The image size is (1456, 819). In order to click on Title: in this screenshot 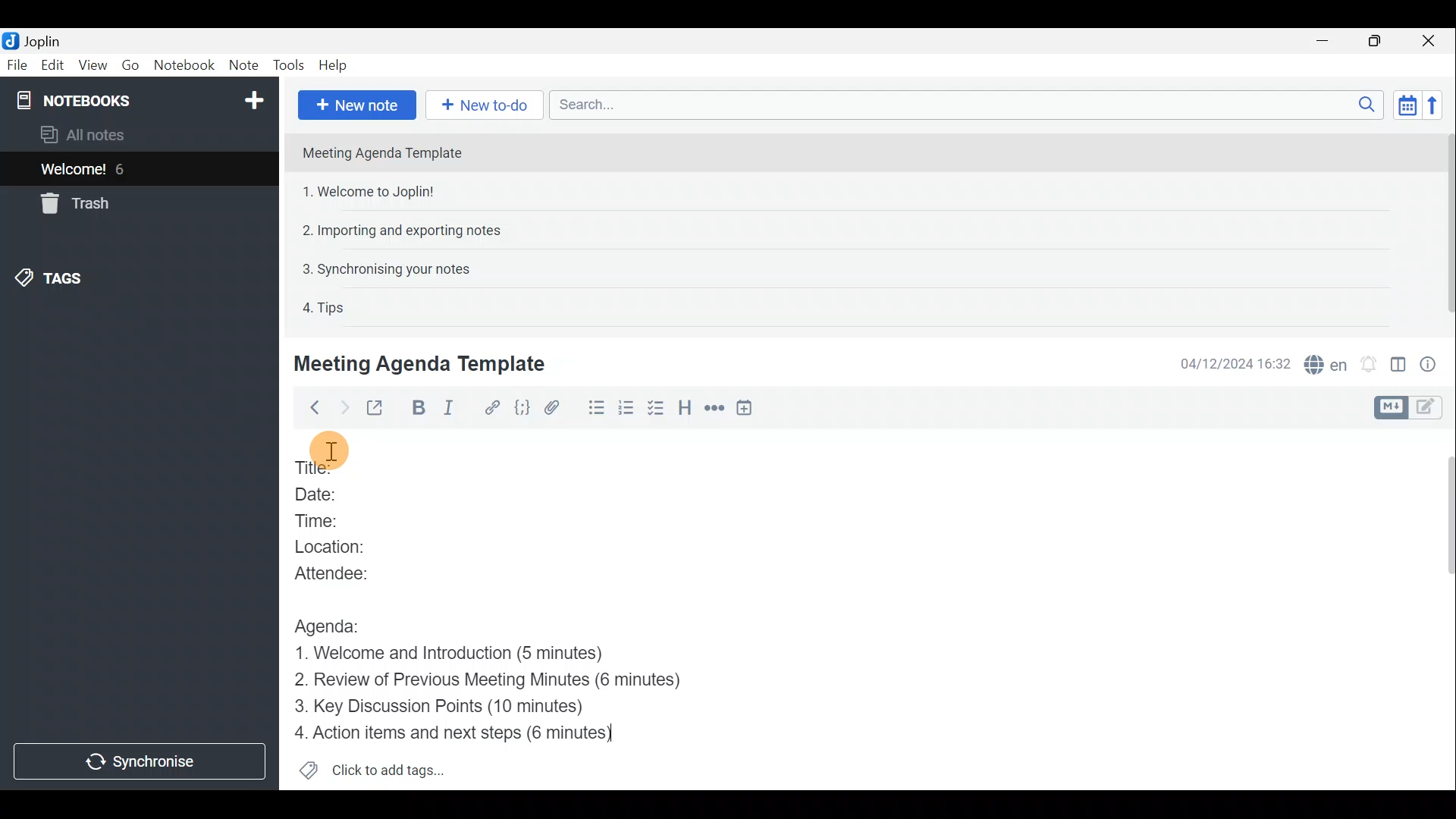, I will do `click(324, 465)`.